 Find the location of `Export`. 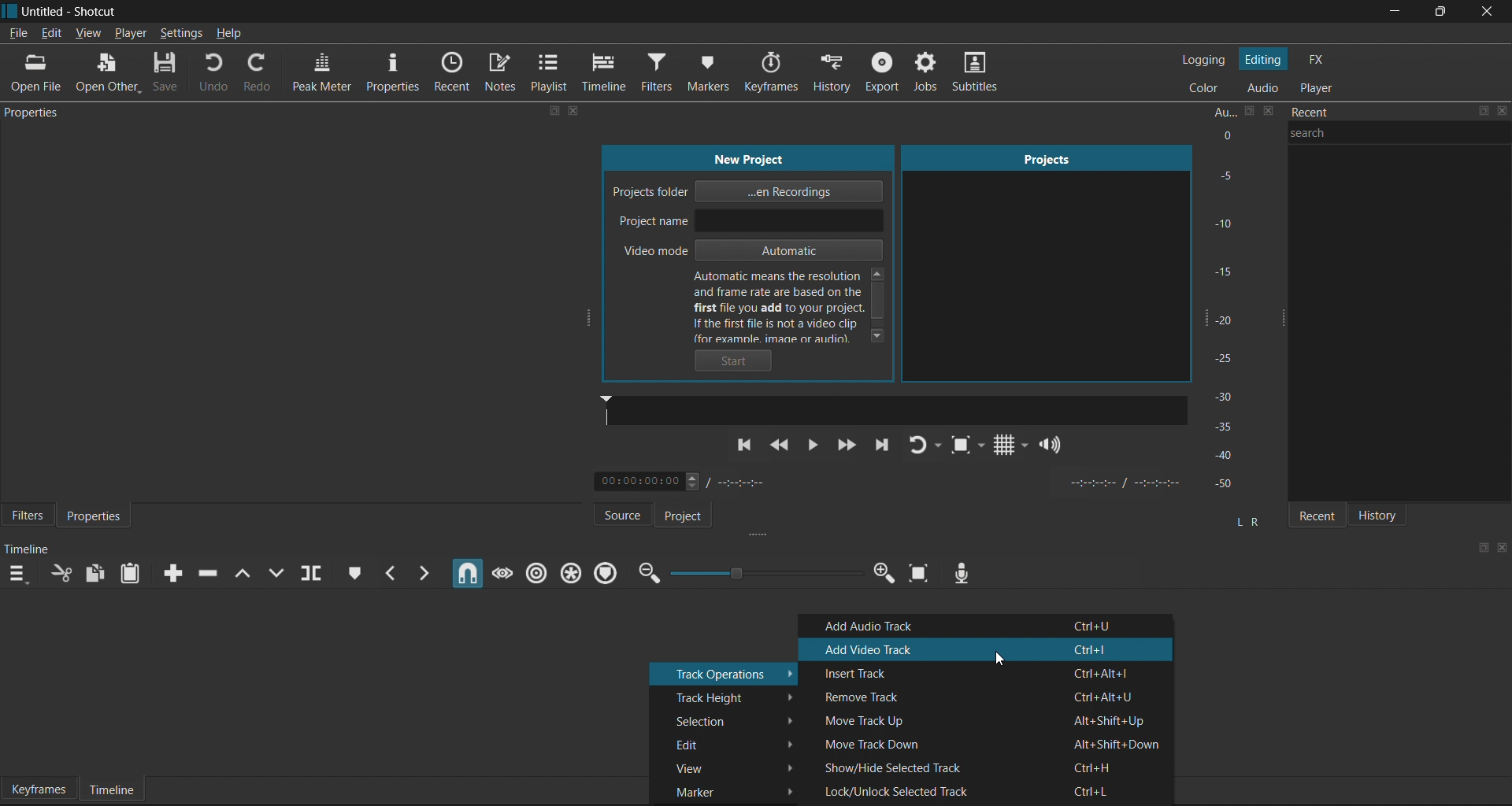

Export is located at coordinates (884, 75).